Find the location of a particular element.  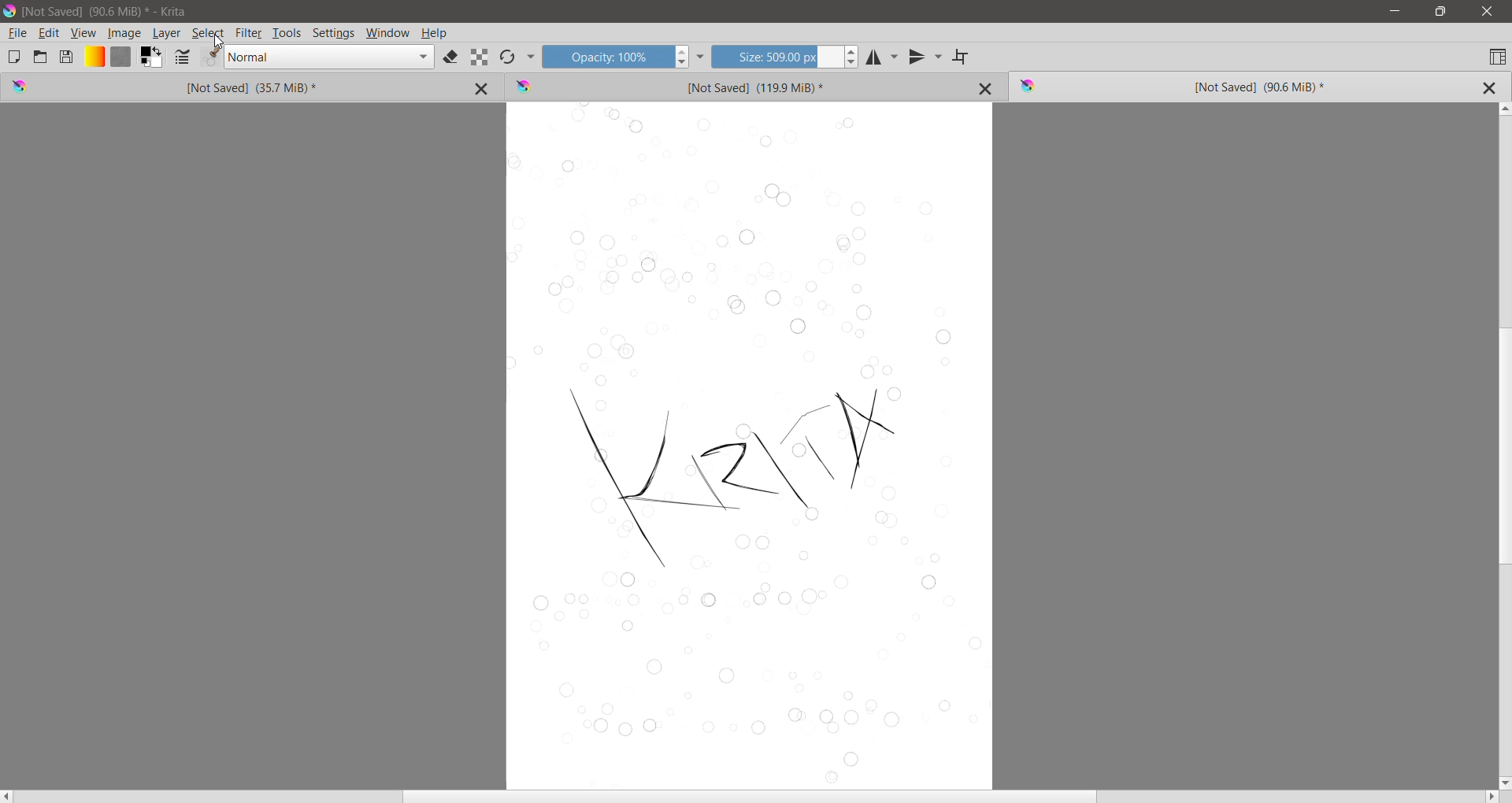

Layer is located at coordinates (168, 33).